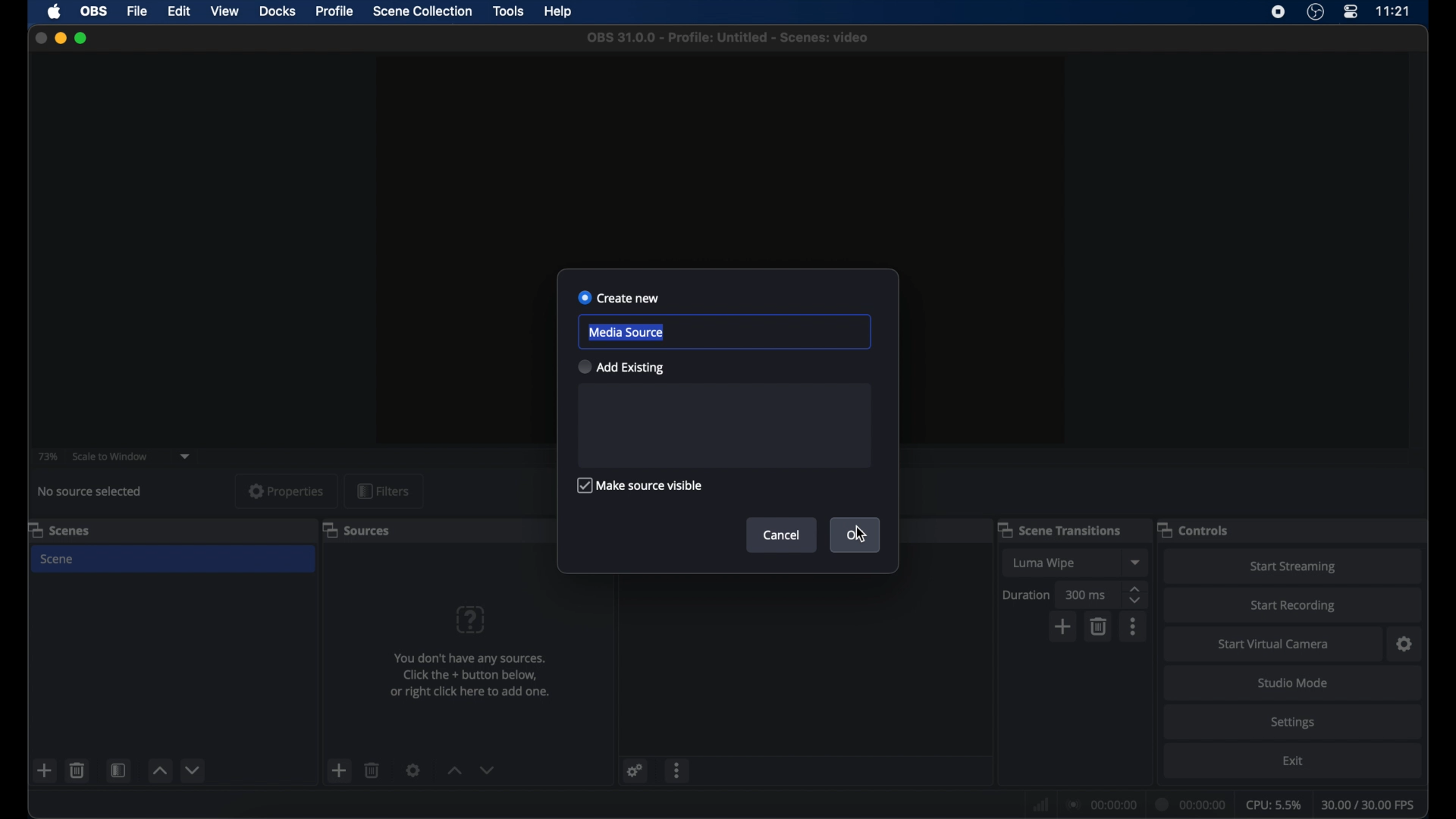  Describe the element at coordinates (469, 675) in the screenshot. I see `info` at that location.